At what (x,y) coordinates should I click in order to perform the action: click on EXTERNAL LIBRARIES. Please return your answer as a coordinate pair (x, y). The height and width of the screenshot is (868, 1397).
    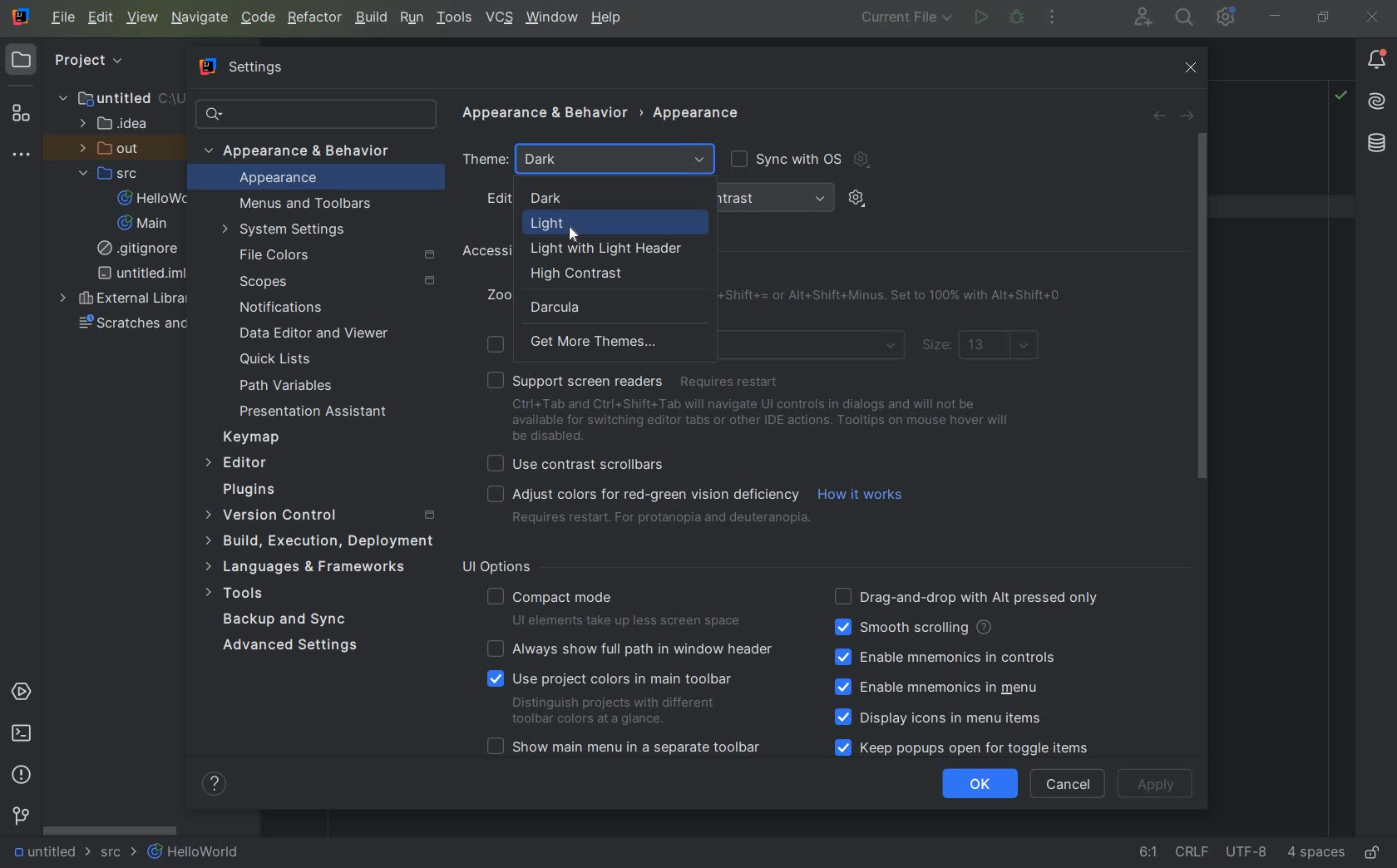
    Looking at the image, I should click on (124, 298).